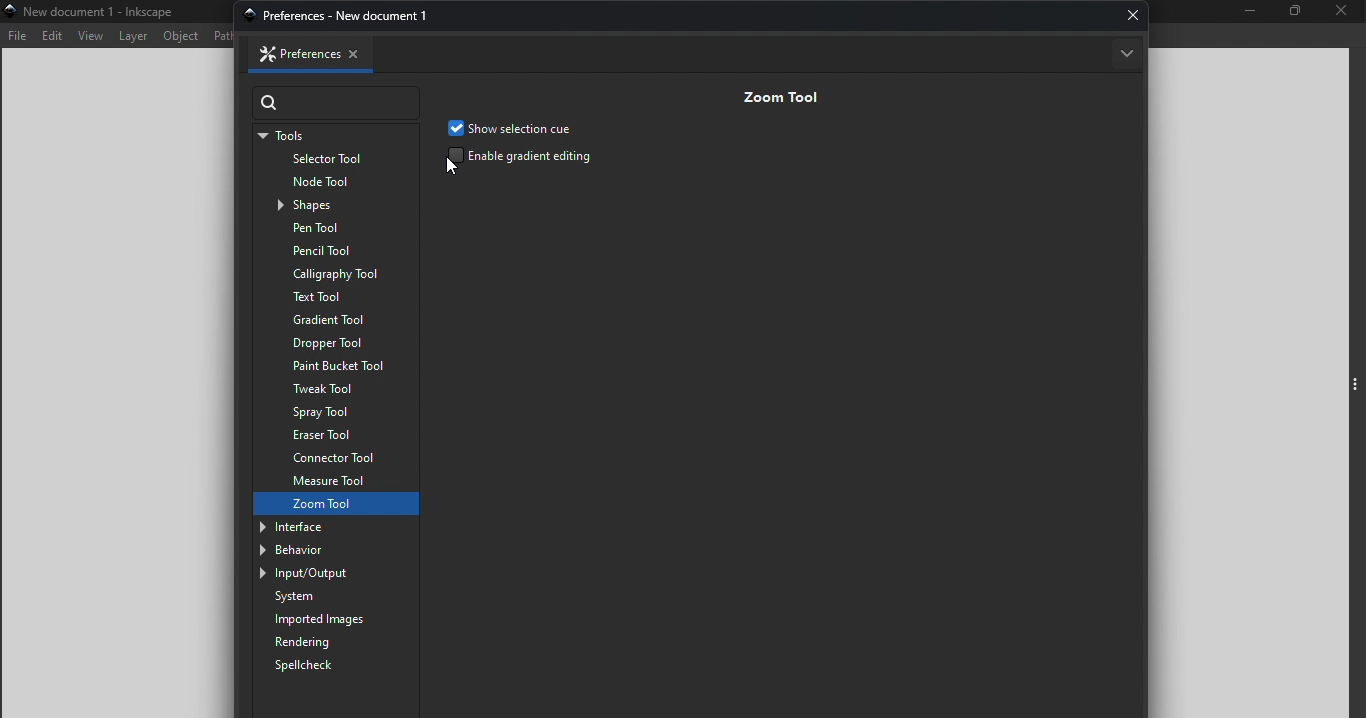 Image resolution: width=1366 pixels, height=718 pixels. Describe the element at coordinates (326, 250) in the screenshot. I see `Pencil tool` at that location.